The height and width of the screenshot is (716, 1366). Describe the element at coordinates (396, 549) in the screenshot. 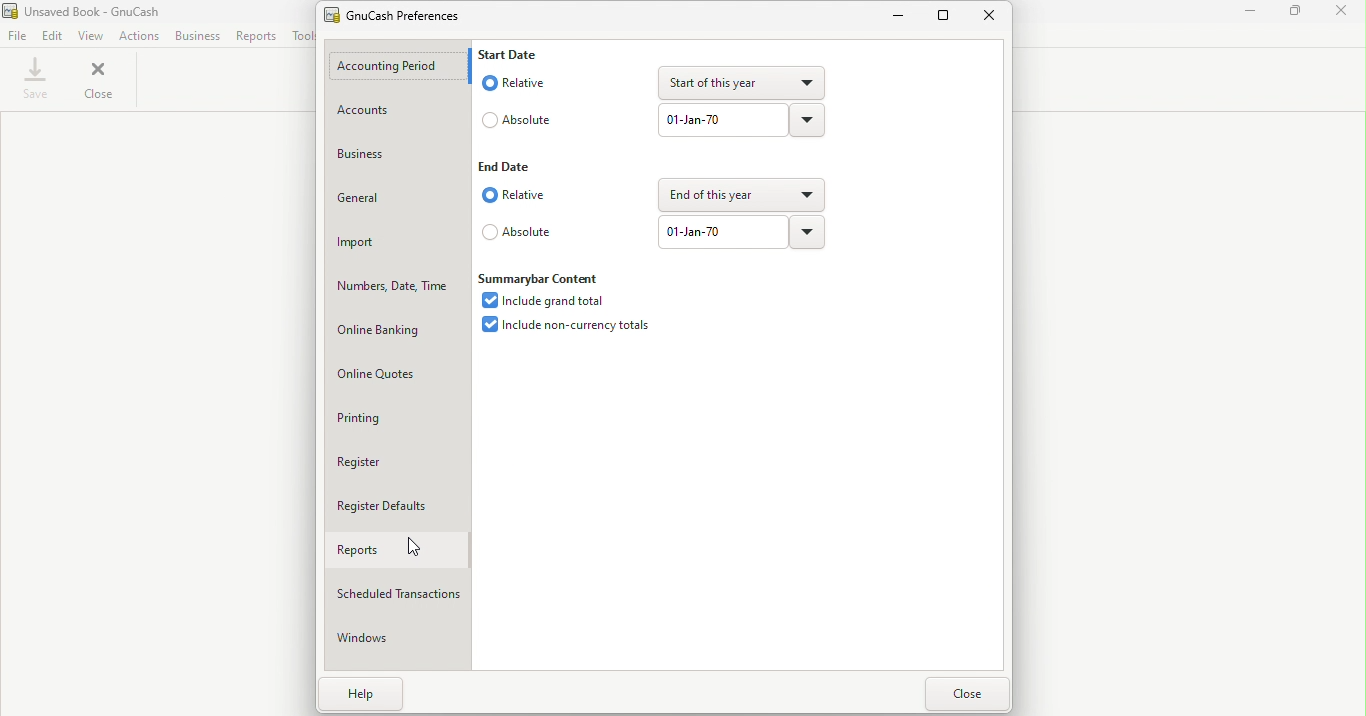

I see `Reports` at that location.